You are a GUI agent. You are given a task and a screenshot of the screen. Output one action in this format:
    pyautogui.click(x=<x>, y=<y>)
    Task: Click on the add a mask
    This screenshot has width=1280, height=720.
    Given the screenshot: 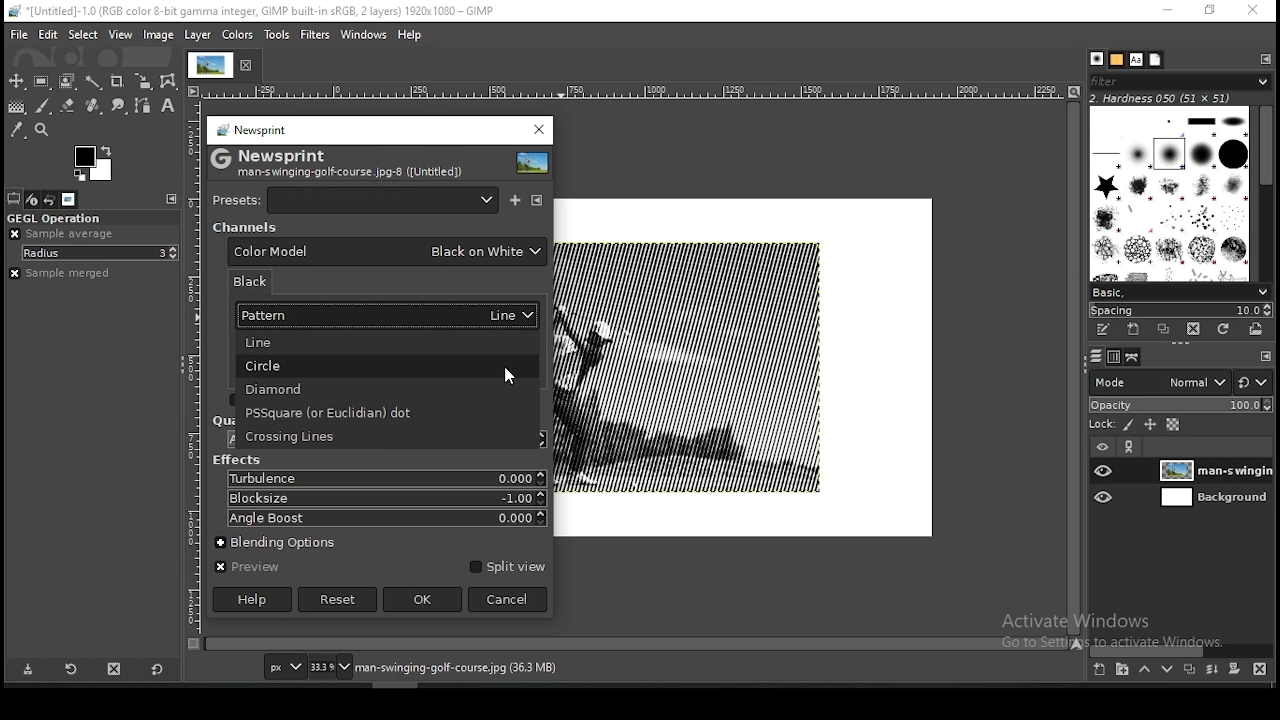 What is the action you would take?
    pyautogui.click(x=1236, y=669)
    